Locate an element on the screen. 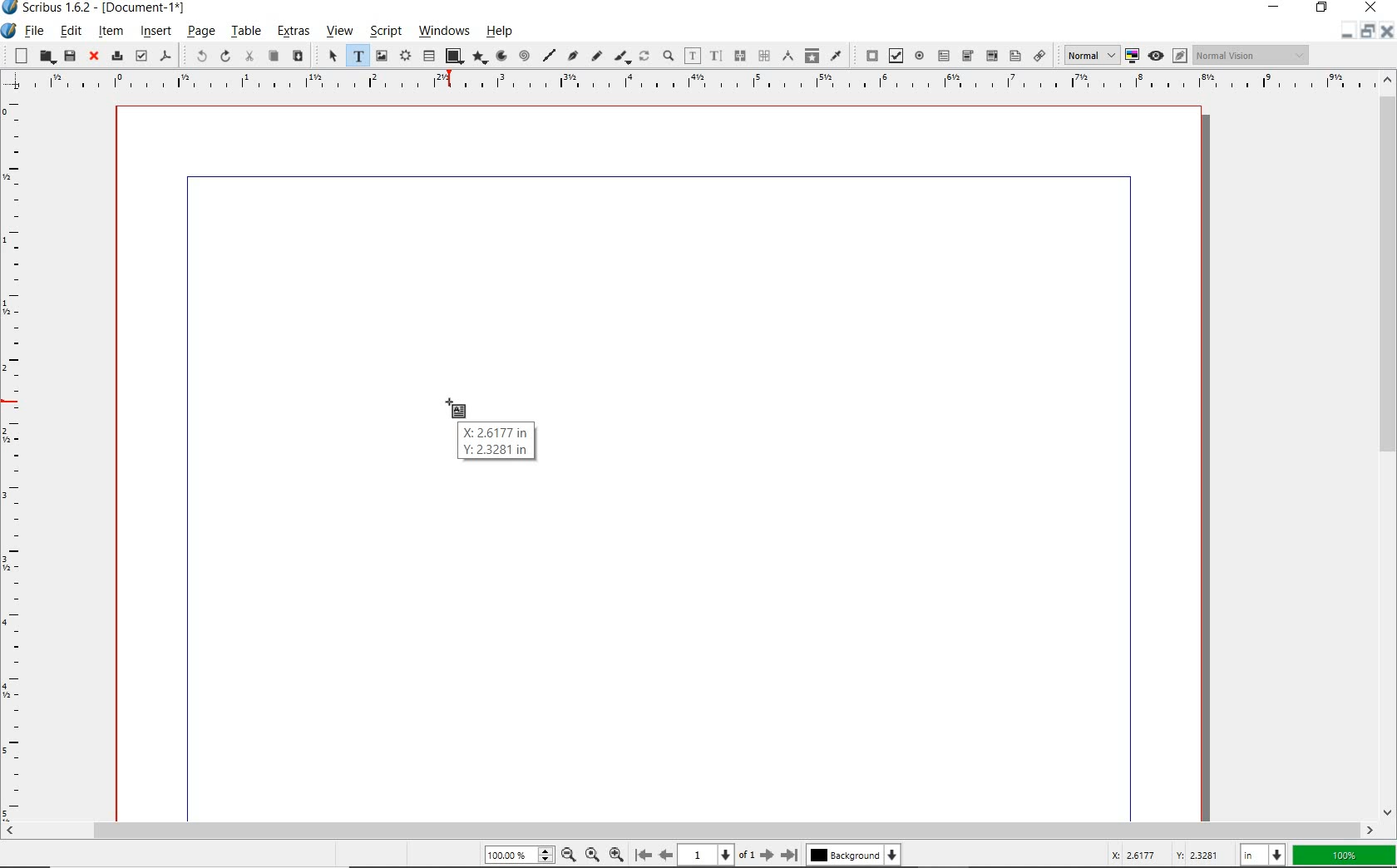 The height and width of the screenshot is (868, 1397). pdf push button is located at coordinates (867, 55).